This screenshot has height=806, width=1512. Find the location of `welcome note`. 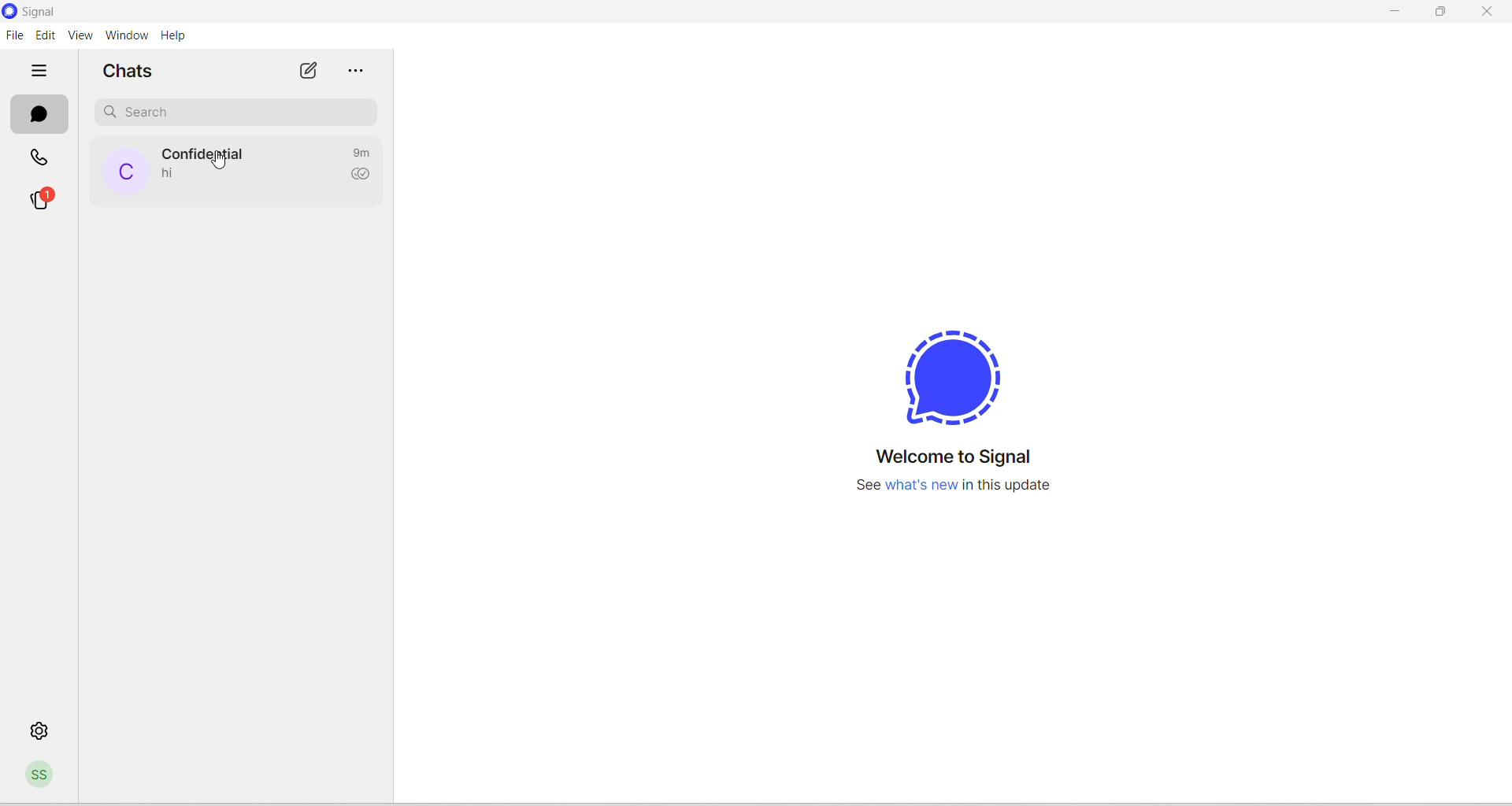

welcome note is located at coordinates (962, 457).